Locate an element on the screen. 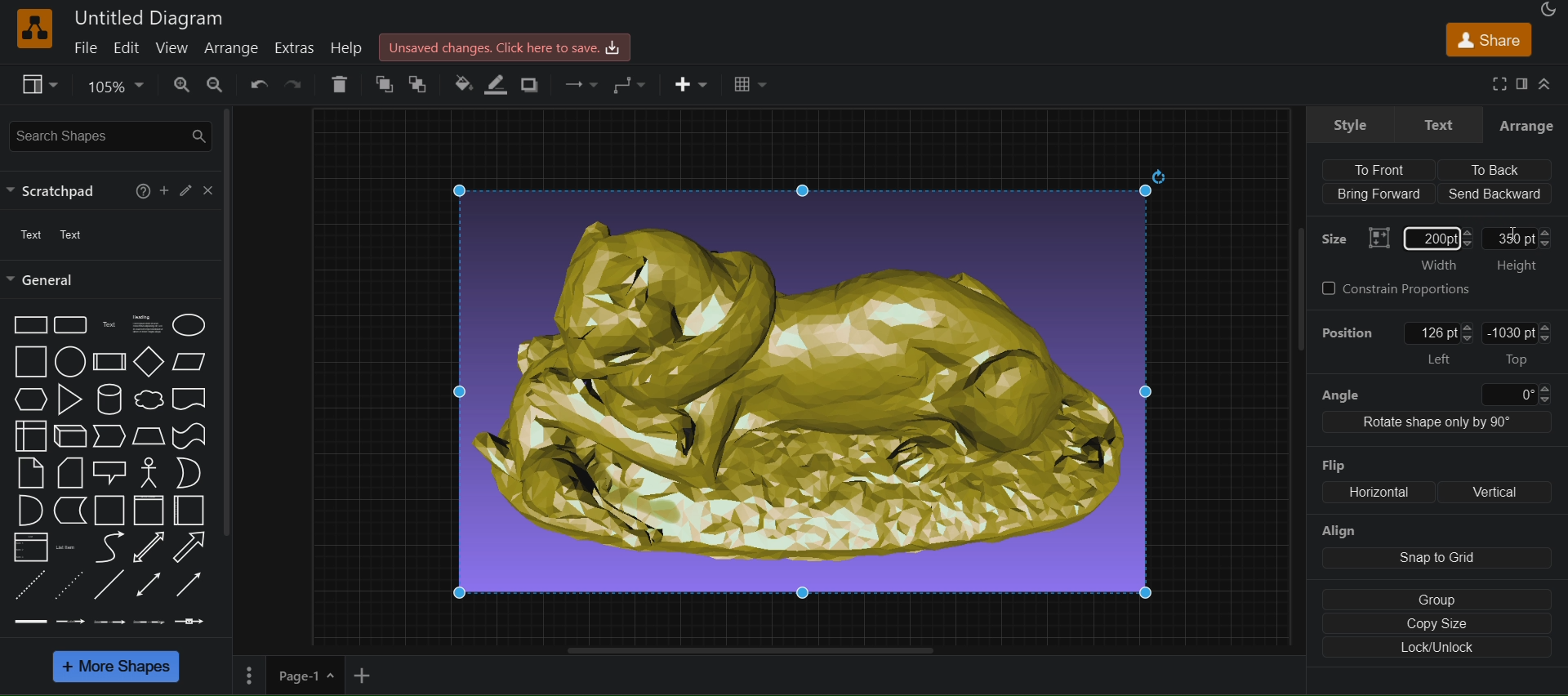  Table is located at coordinates (748, 86).